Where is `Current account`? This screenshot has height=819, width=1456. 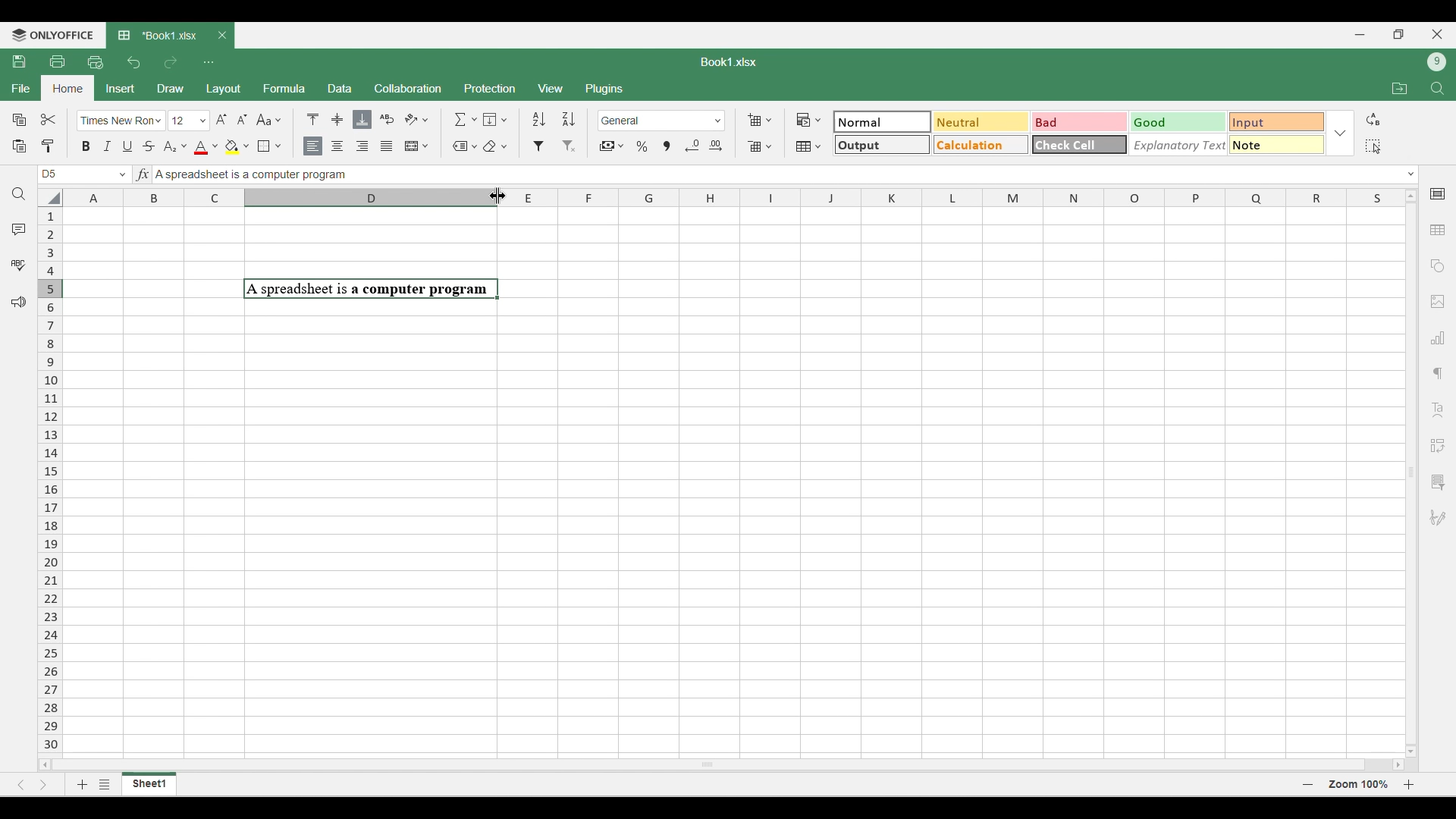 Current account is located at coordinates (1437, 62).